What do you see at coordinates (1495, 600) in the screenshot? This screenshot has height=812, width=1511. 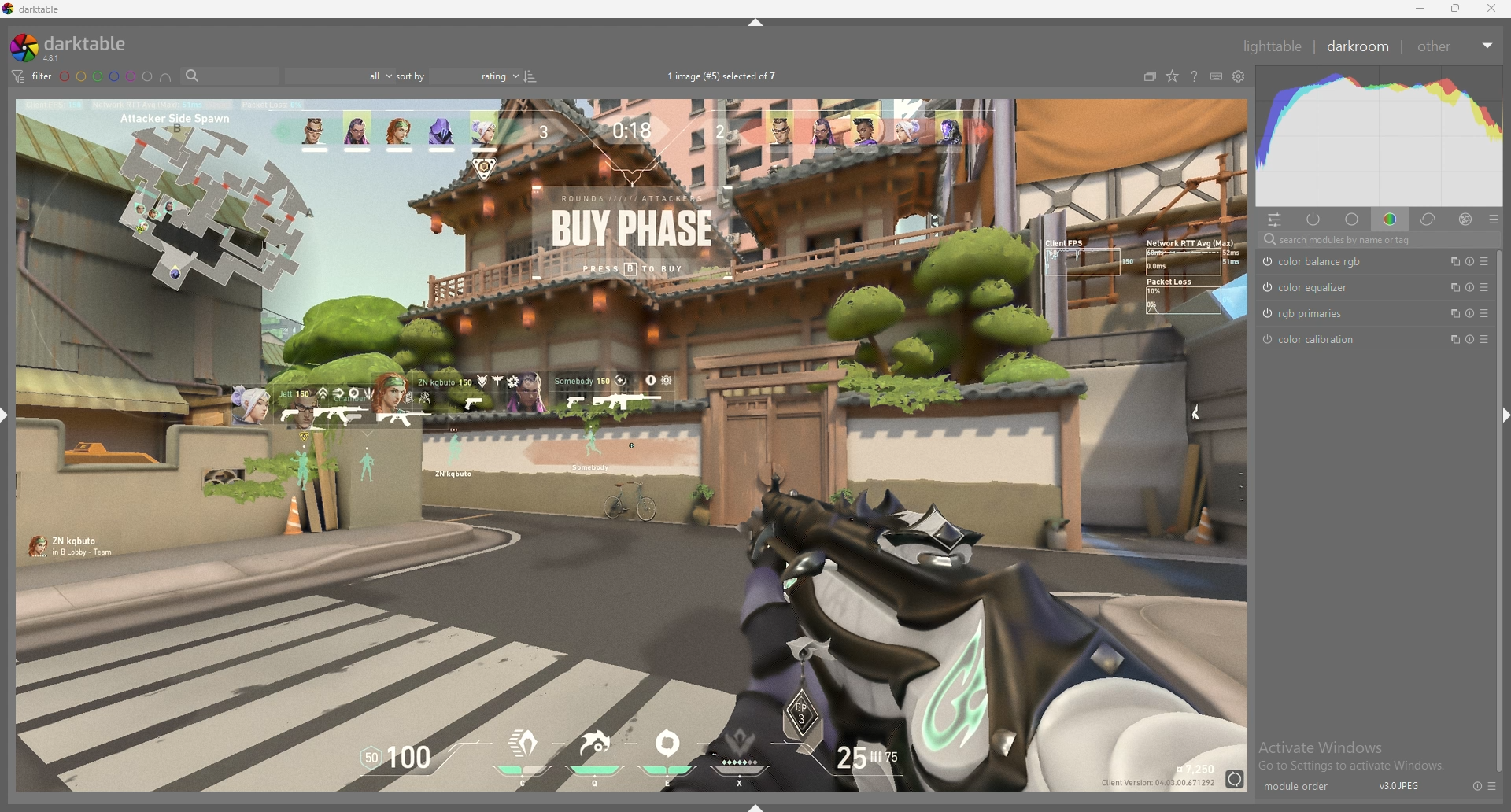 I see `scroll bar` at bounding box center [1495, 600].